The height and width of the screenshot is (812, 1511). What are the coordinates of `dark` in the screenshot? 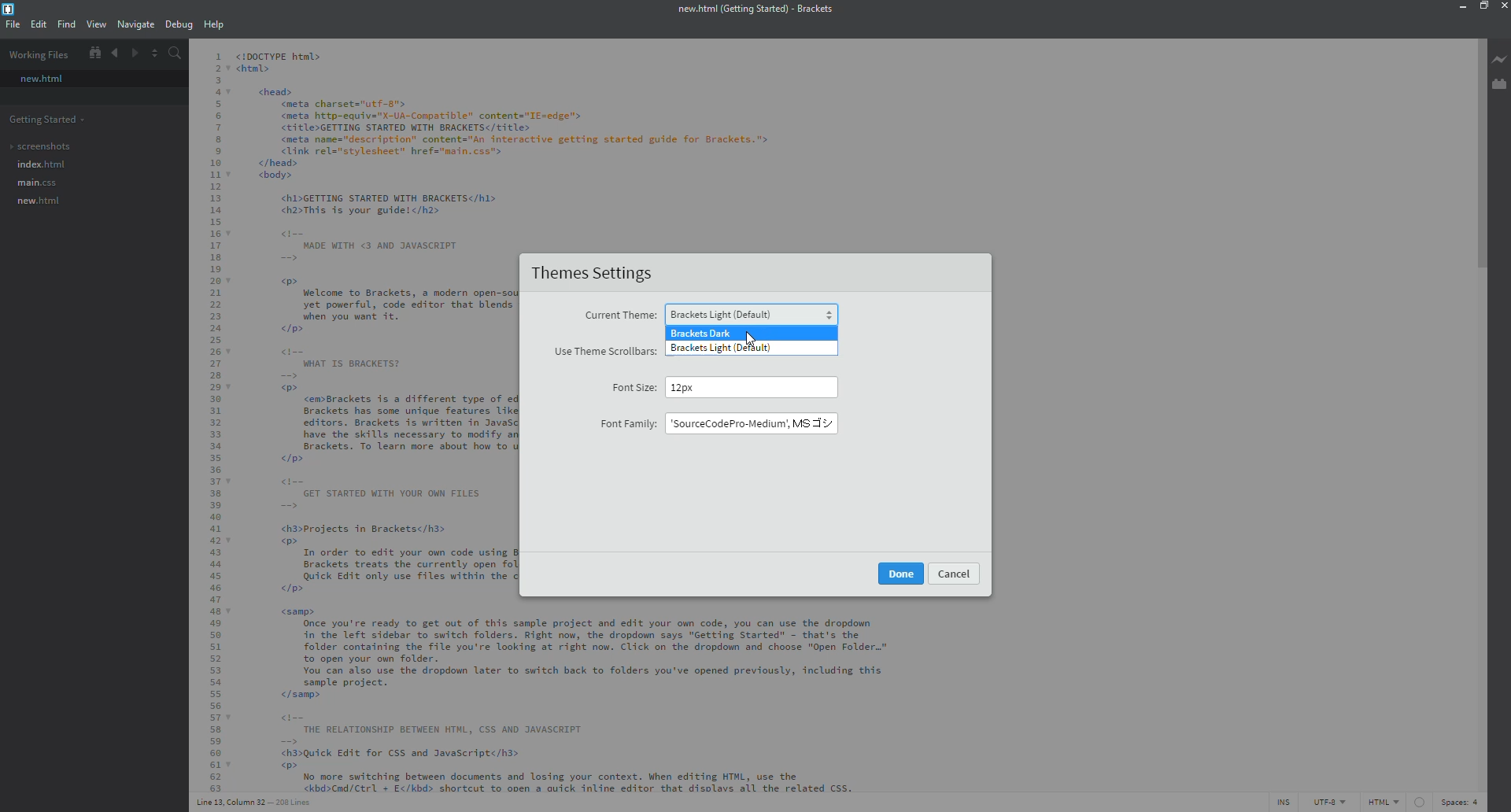 It's located at (702, 333).